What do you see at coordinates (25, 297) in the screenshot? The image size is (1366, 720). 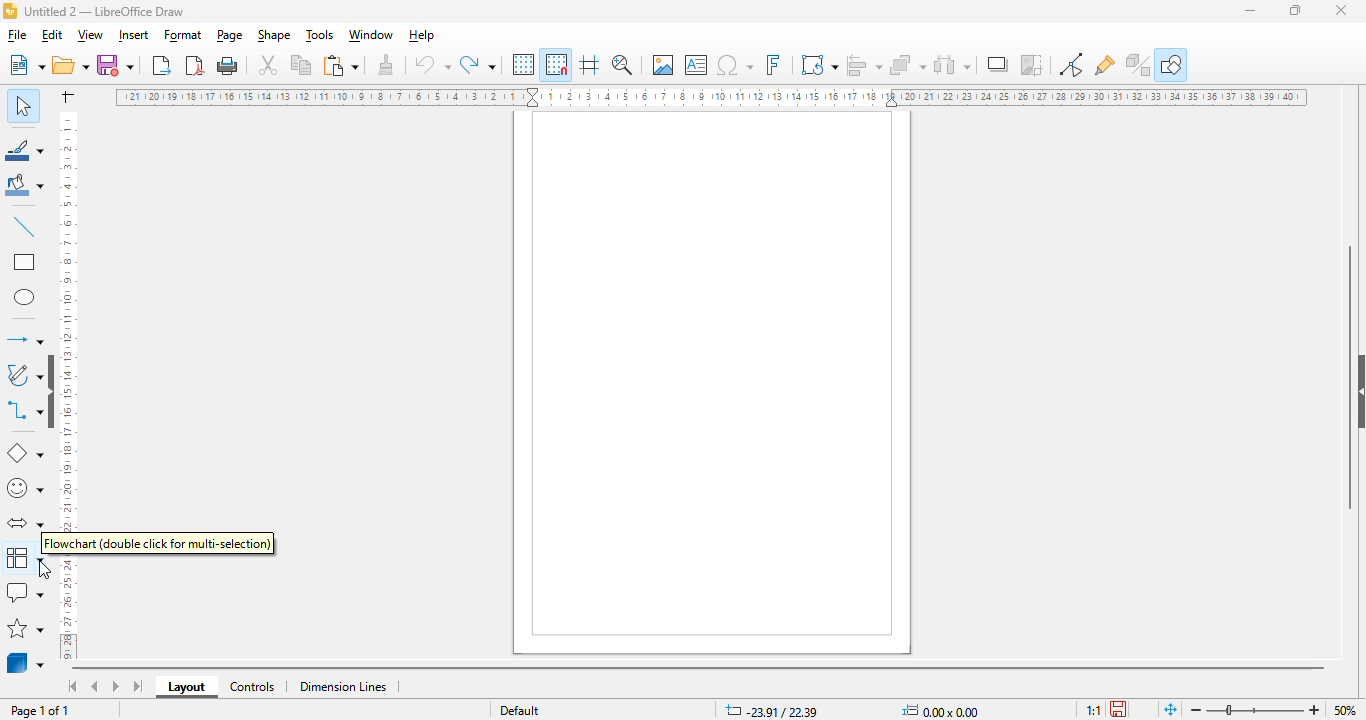 I see `ellipse` at bounding box center [25, 297].